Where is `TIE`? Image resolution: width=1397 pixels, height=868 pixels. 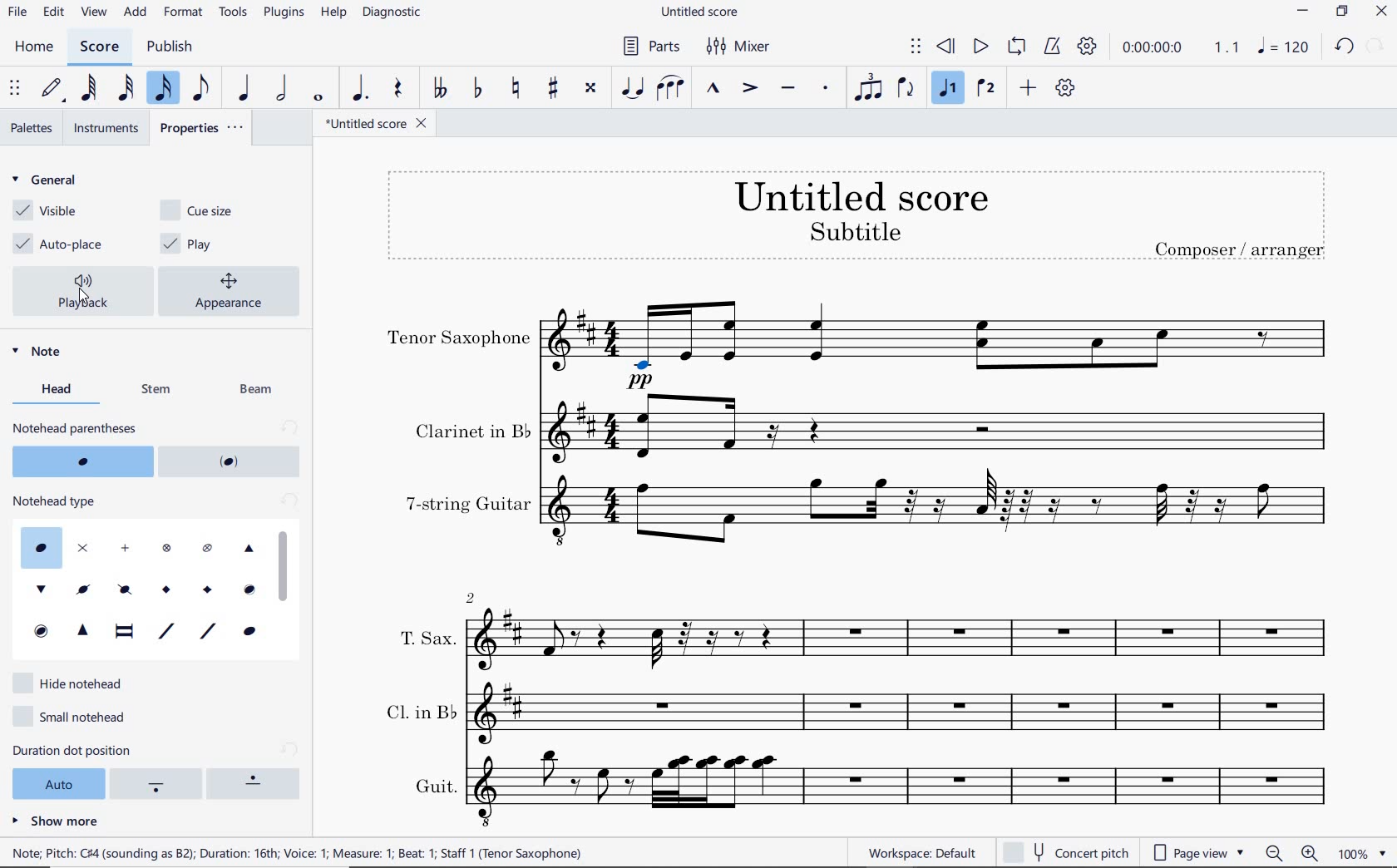
TIE is located at coordinates (633, 87).